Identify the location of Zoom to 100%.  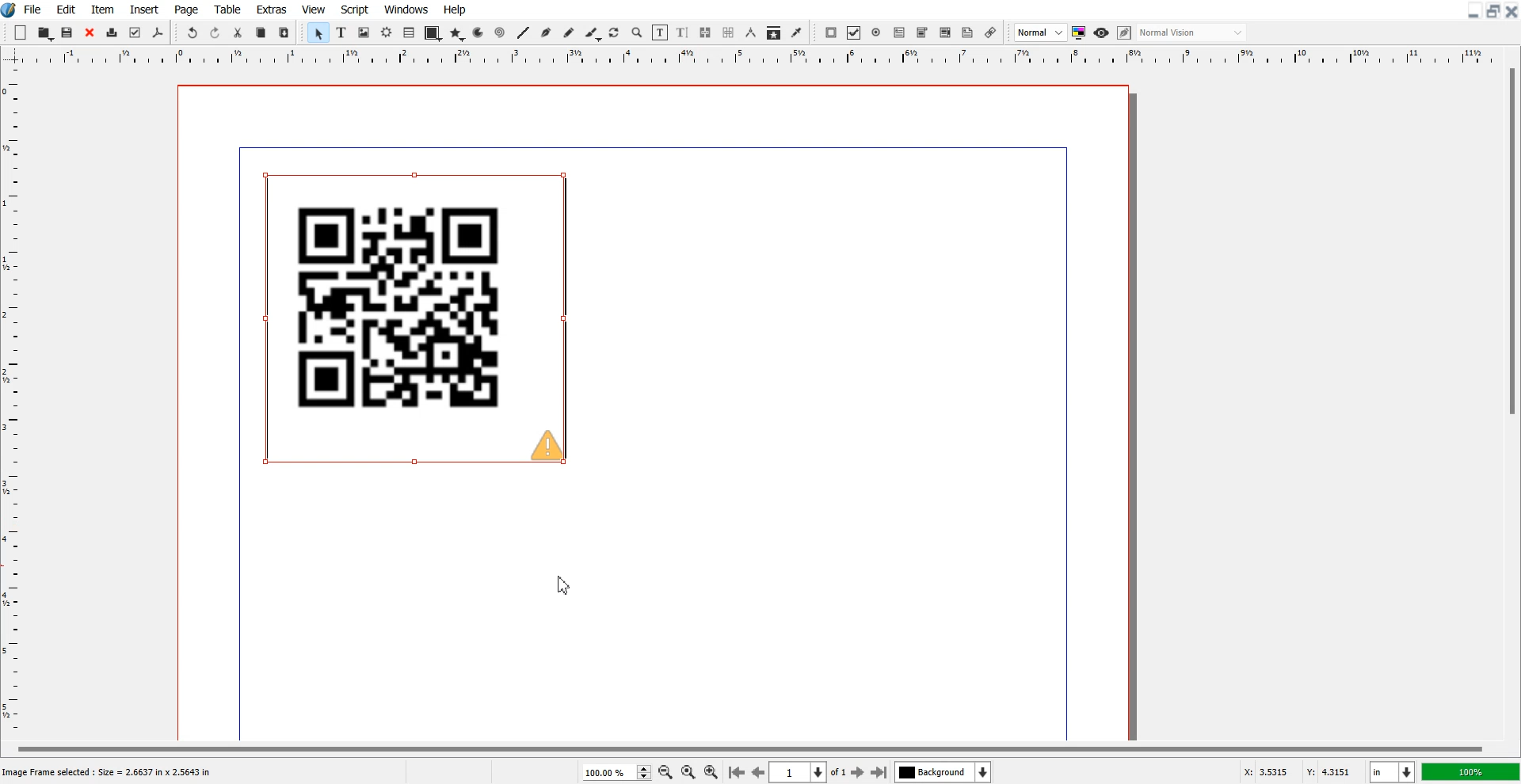
(688, 771).